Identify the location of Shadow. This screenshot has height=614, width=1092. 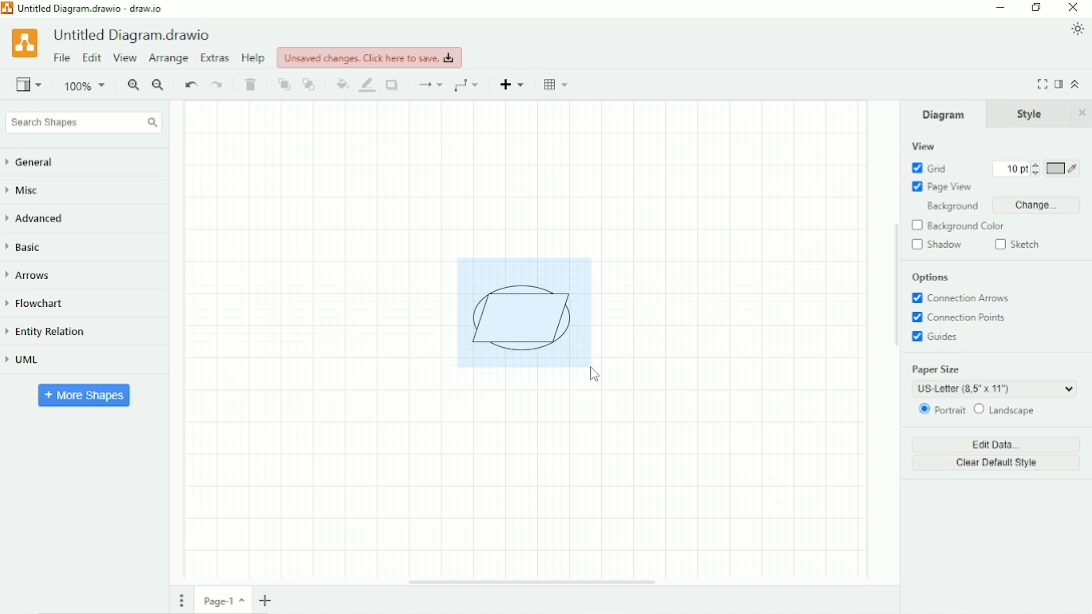
(937, 245).